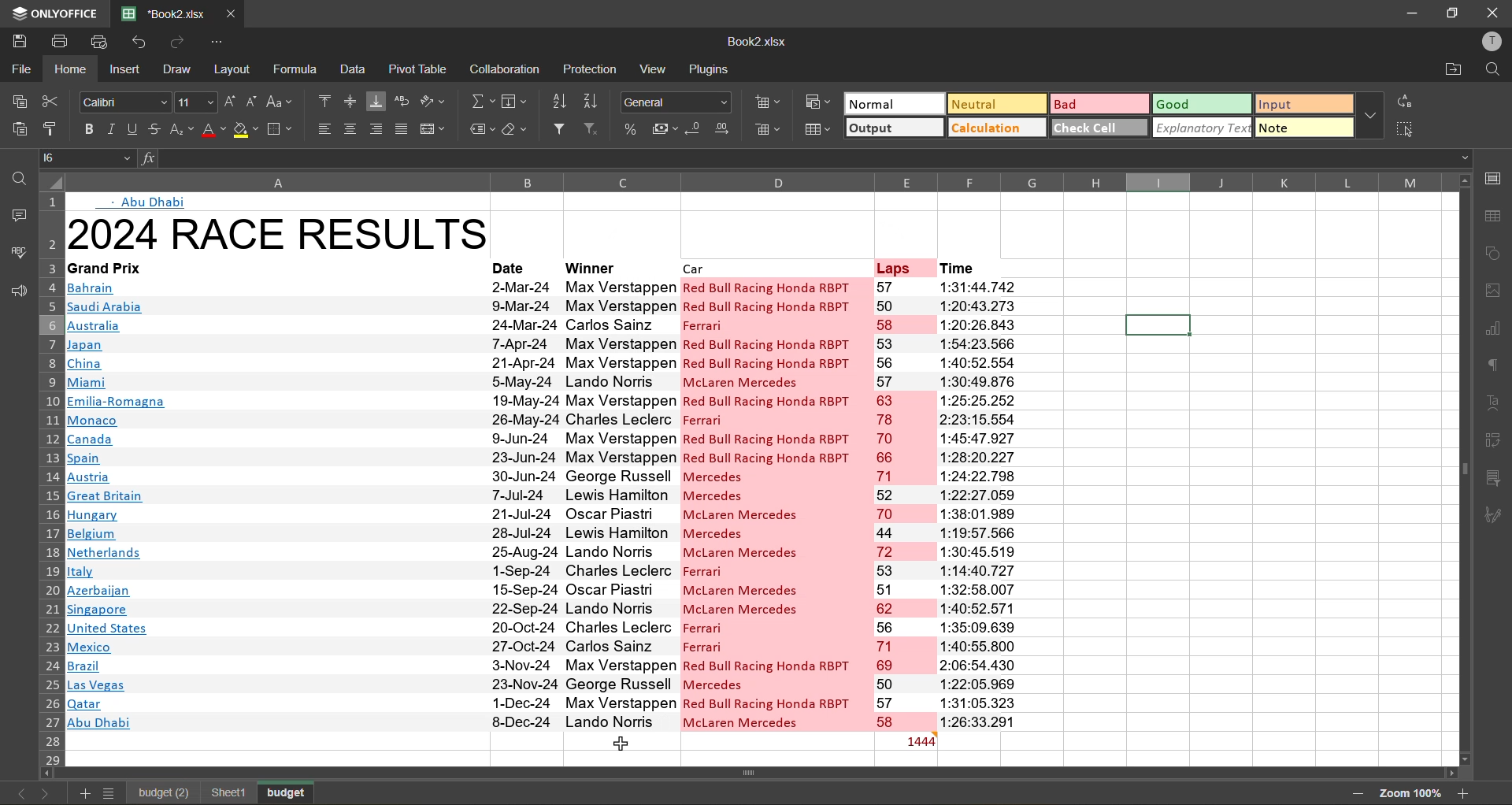  What do you see at coordinates (998, 128) in the screenshot?
I see `calculation` at bounding box center [998, 128].